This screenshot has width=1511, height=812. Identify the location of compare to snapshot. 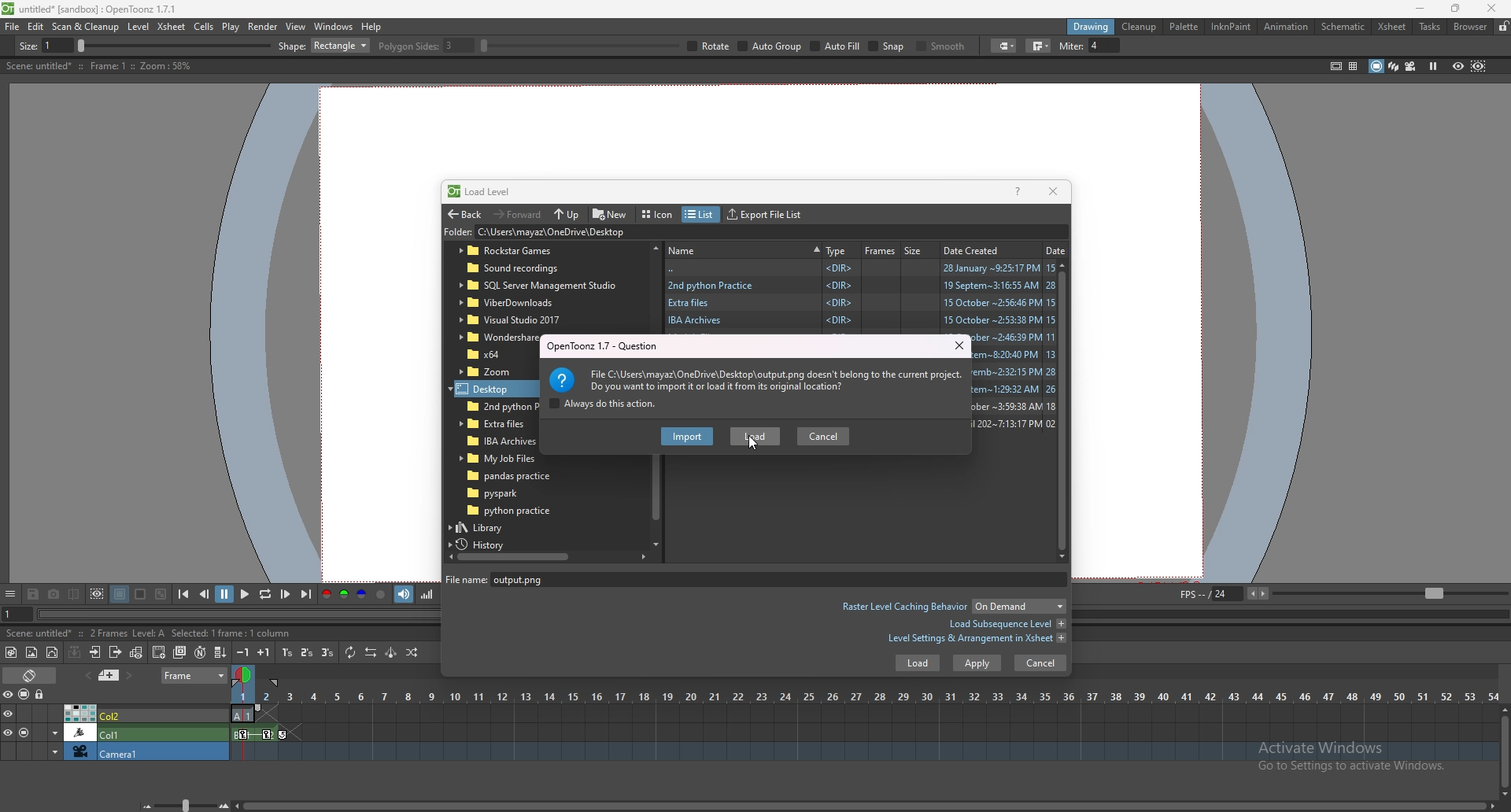
(76, 593).